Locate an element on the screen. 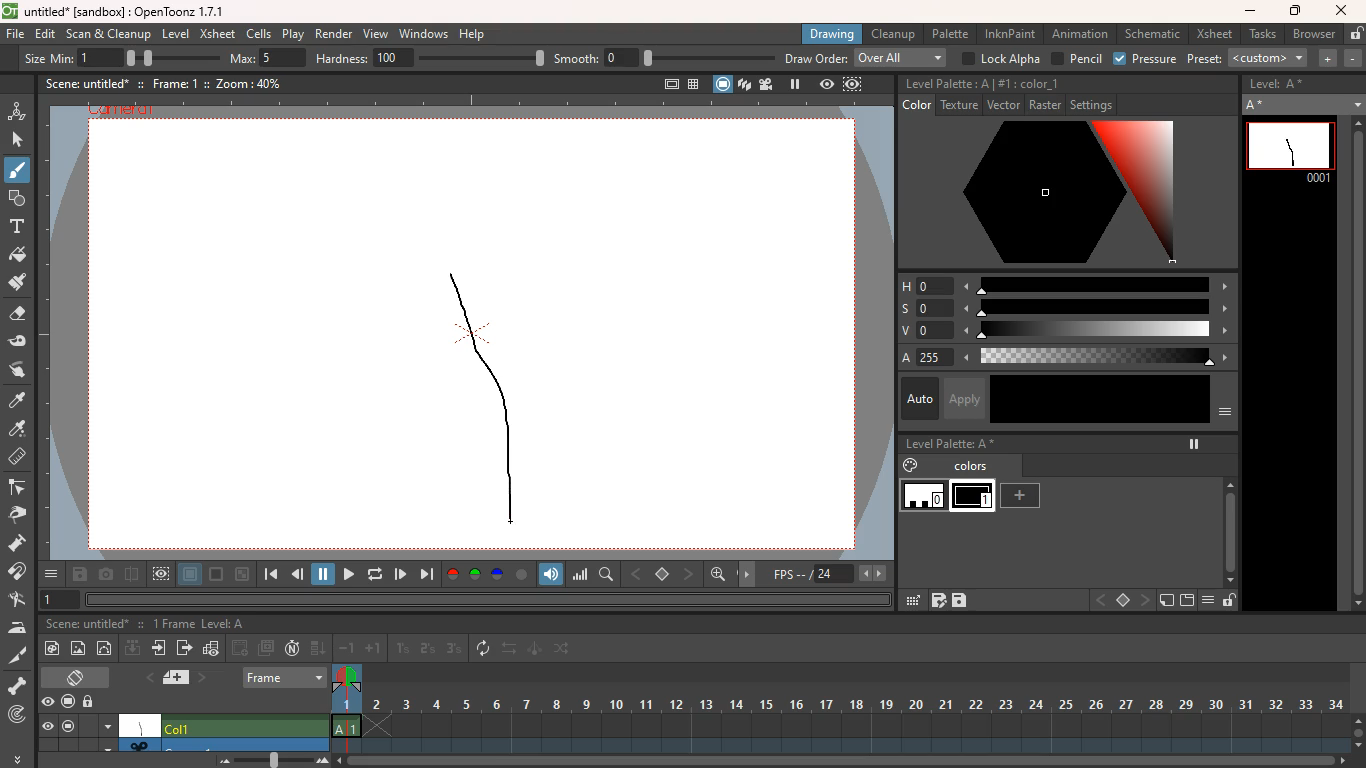 The width and height of the screenshot is (1366, 768). unlock is located at coordinates (1354, 34).